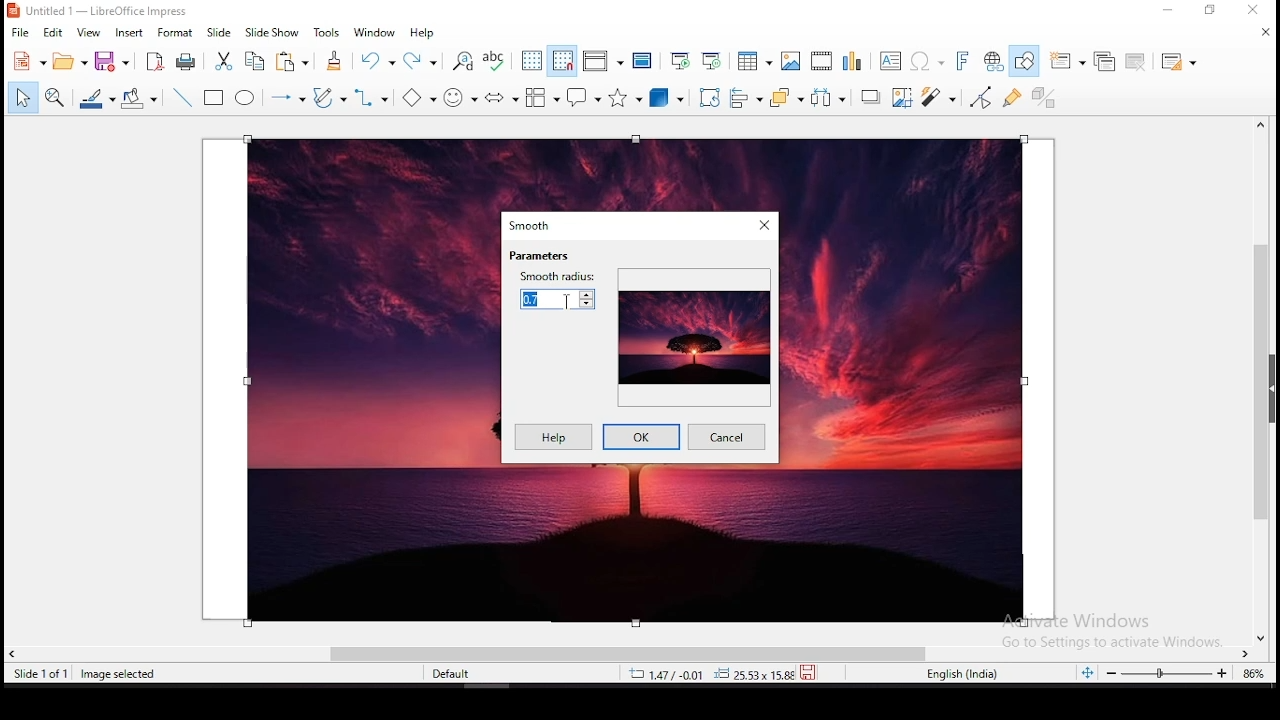 The height and width of the screenshot is (720, 1280). What do you see at coordinates (1267, 380) in the screenshot?
I see `scroll bar` at bounding box center [1267, 380].